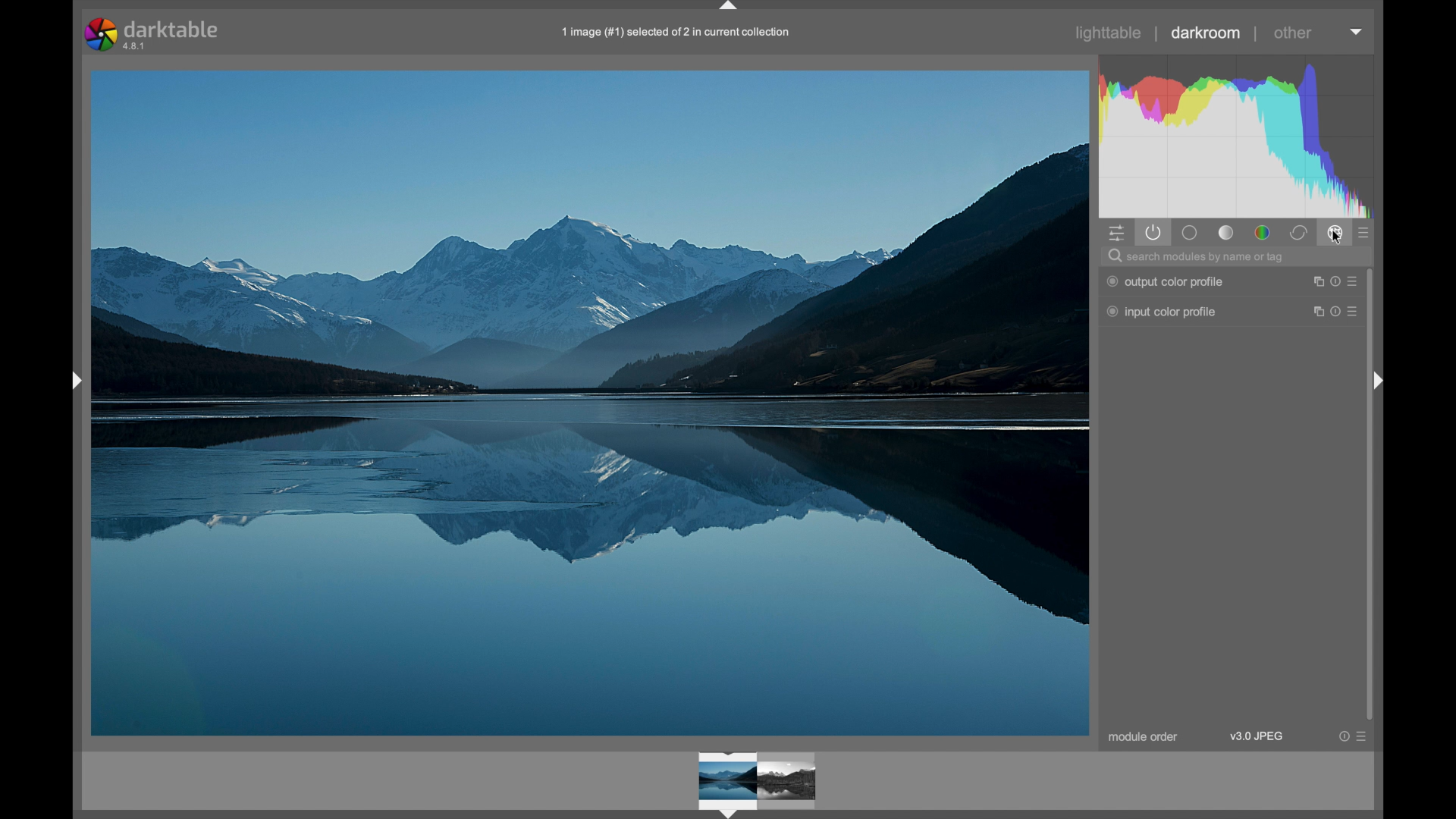  Describe the element at coordinates (1351, 737) in the screenshot. I see `more options` at that location.